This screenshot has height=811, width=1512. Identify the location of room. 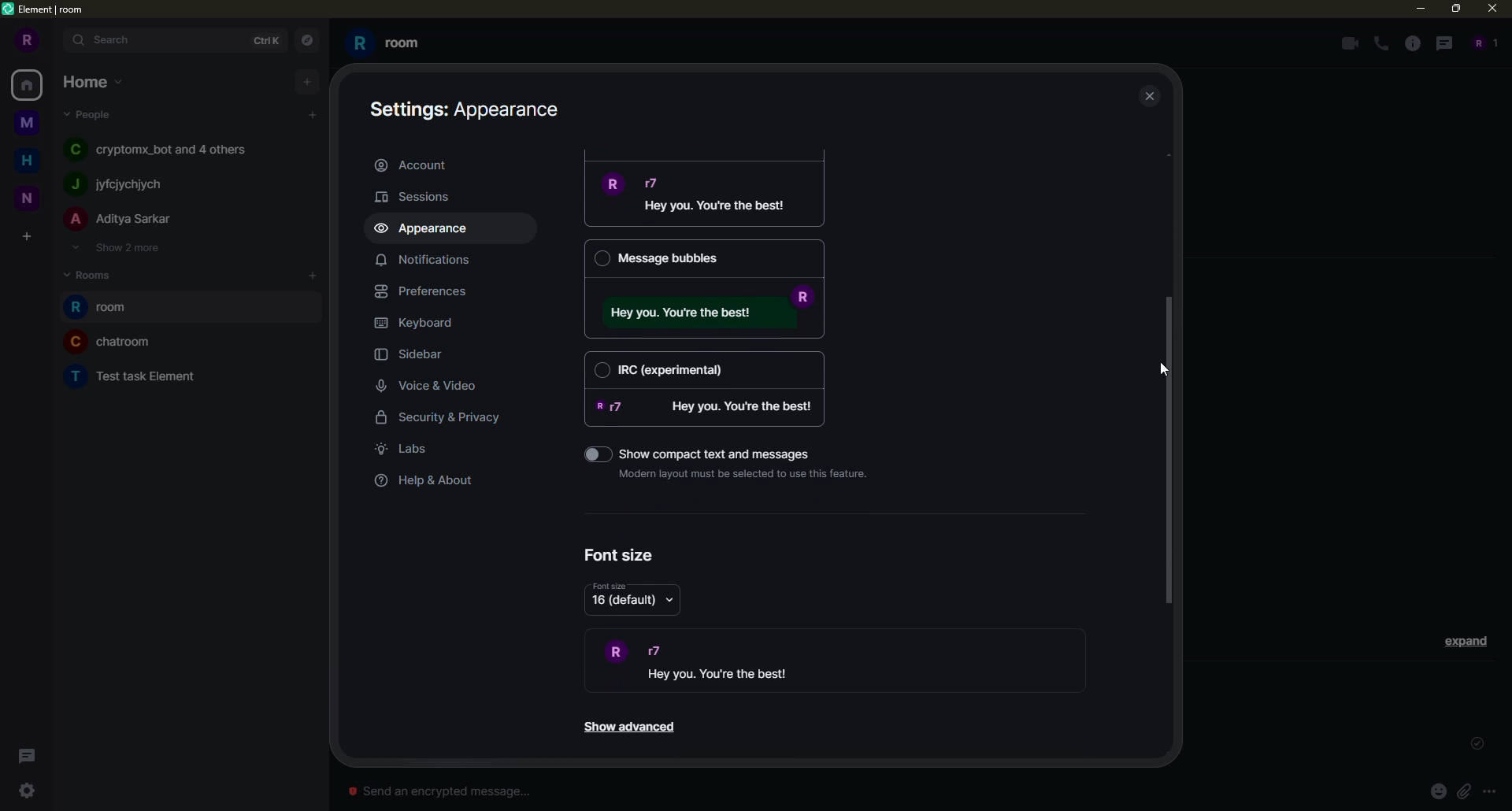
(112, 341).